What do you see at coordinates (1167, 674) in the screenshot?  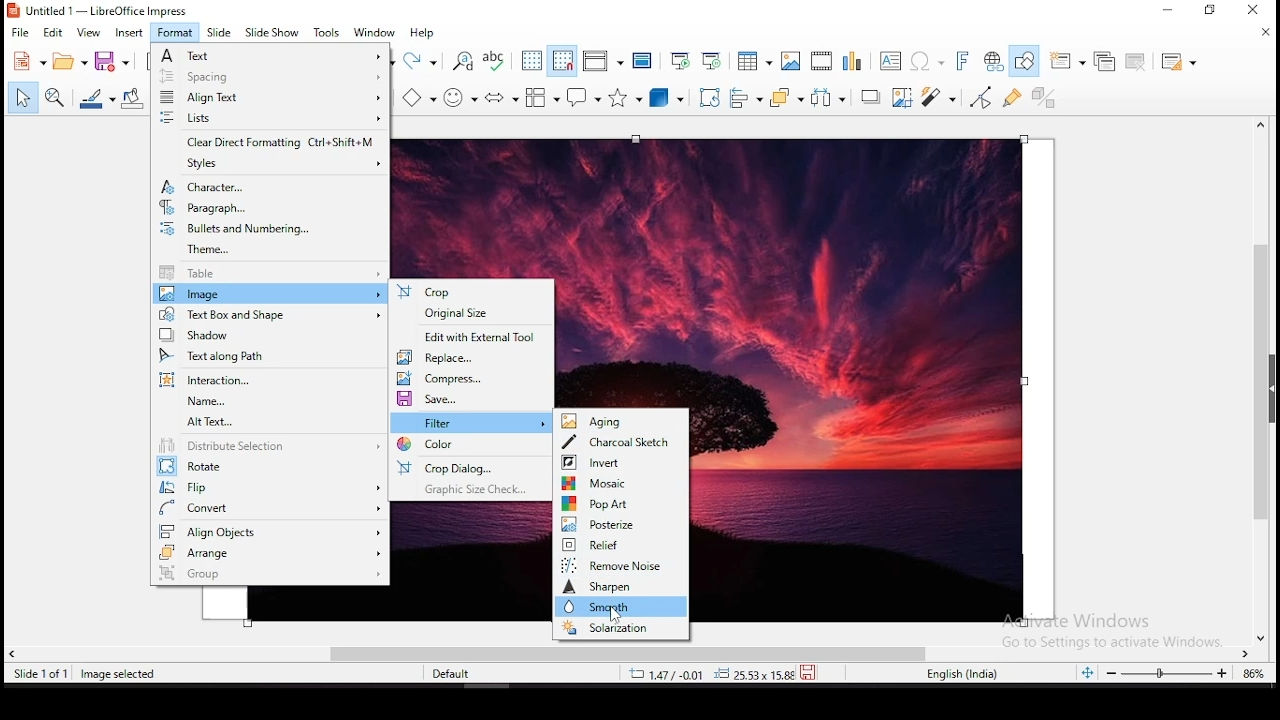 I see `zoom slider` at bounding box center [1167, 674].